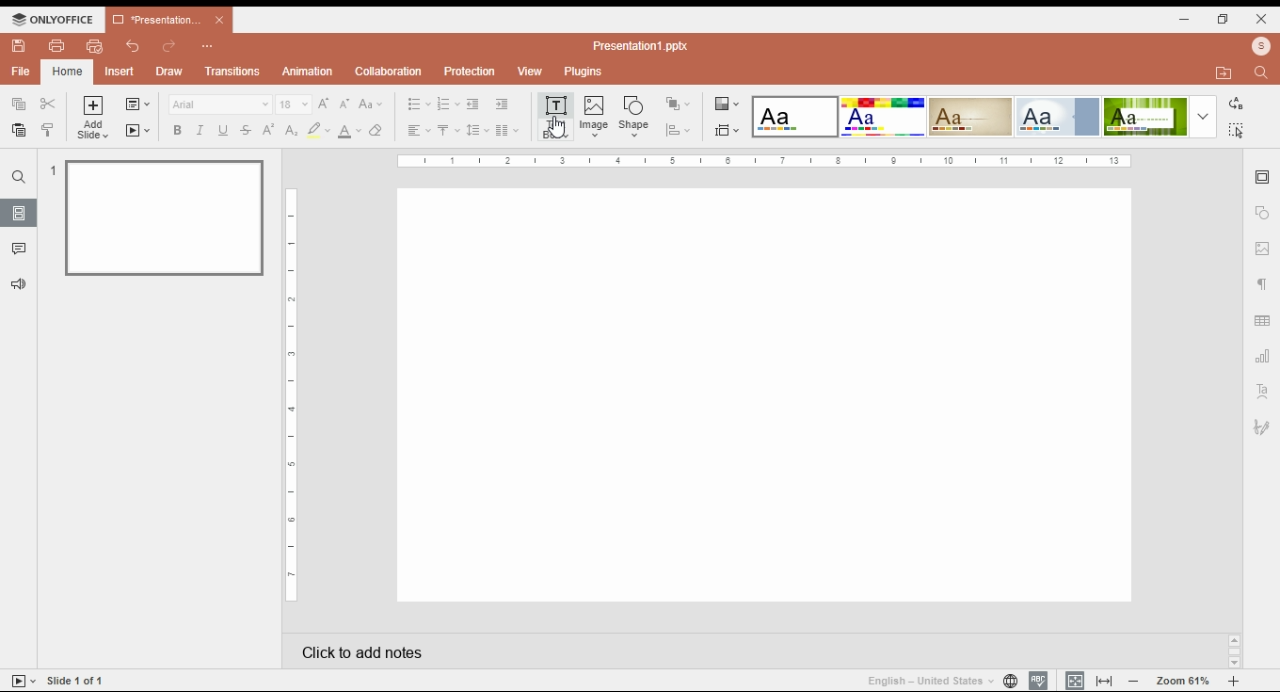 Image resolution: width=1280 pixels, height=692 pixels. I want to click on scrollbar, so click(1235, 651).